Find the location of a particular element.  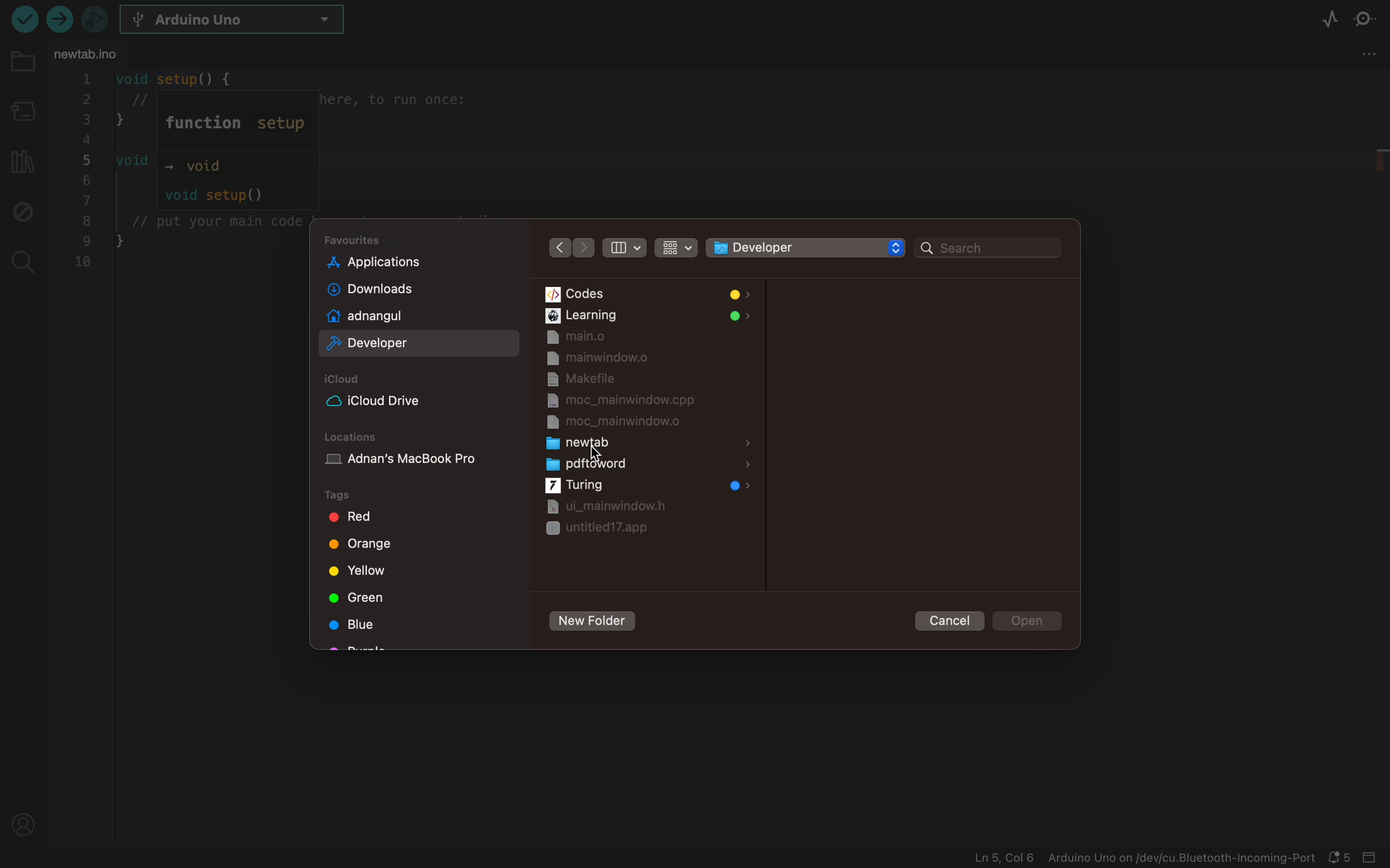

verify is located at coordinates (62, 22).